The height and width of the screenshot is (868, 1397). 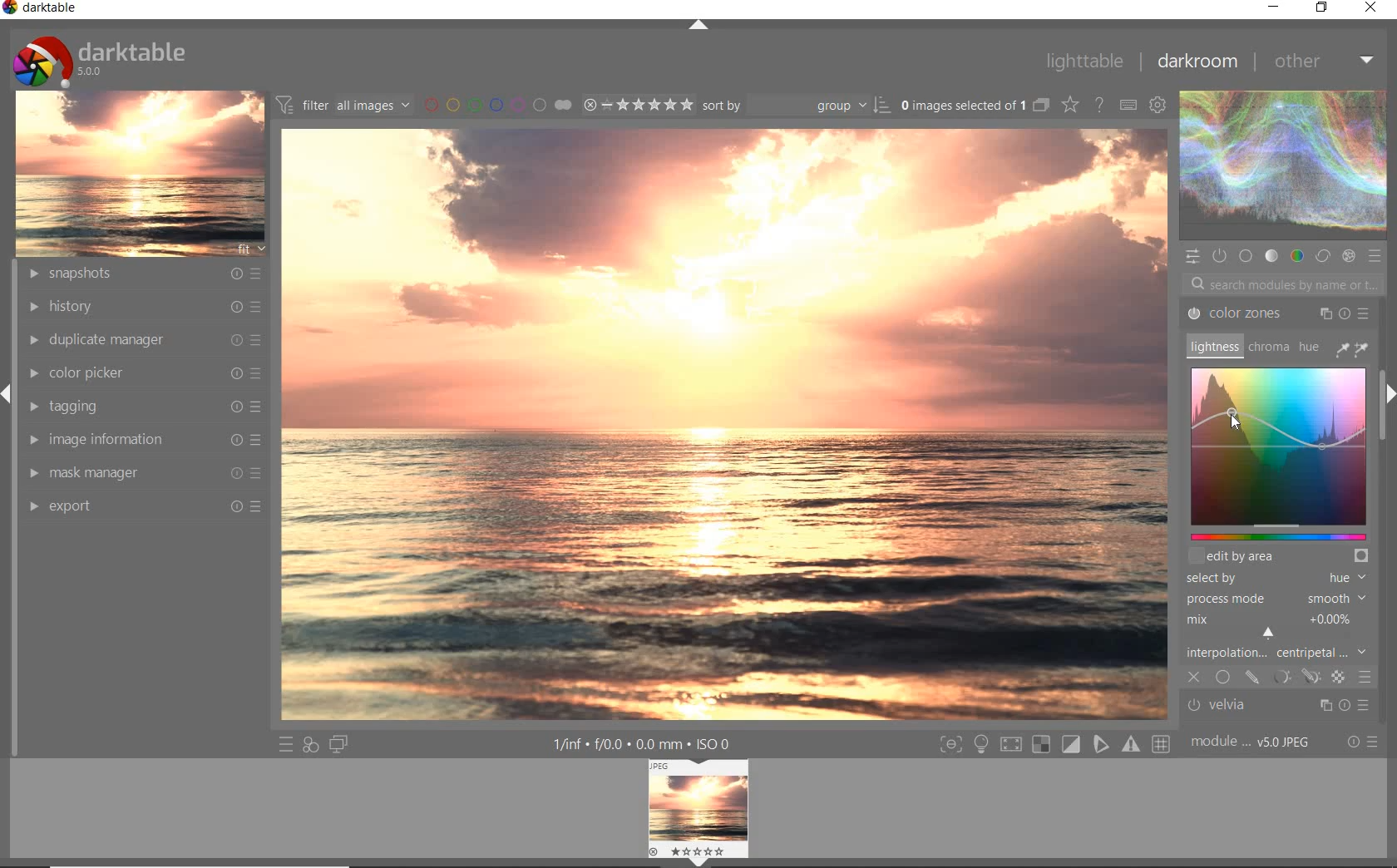 What do you see at coordinates (309, 746) in the screenshot?
I see `QUICK ACCESS FOR APPLYING ANY OF YOUR STYLE` at bounding box center [309, 746].